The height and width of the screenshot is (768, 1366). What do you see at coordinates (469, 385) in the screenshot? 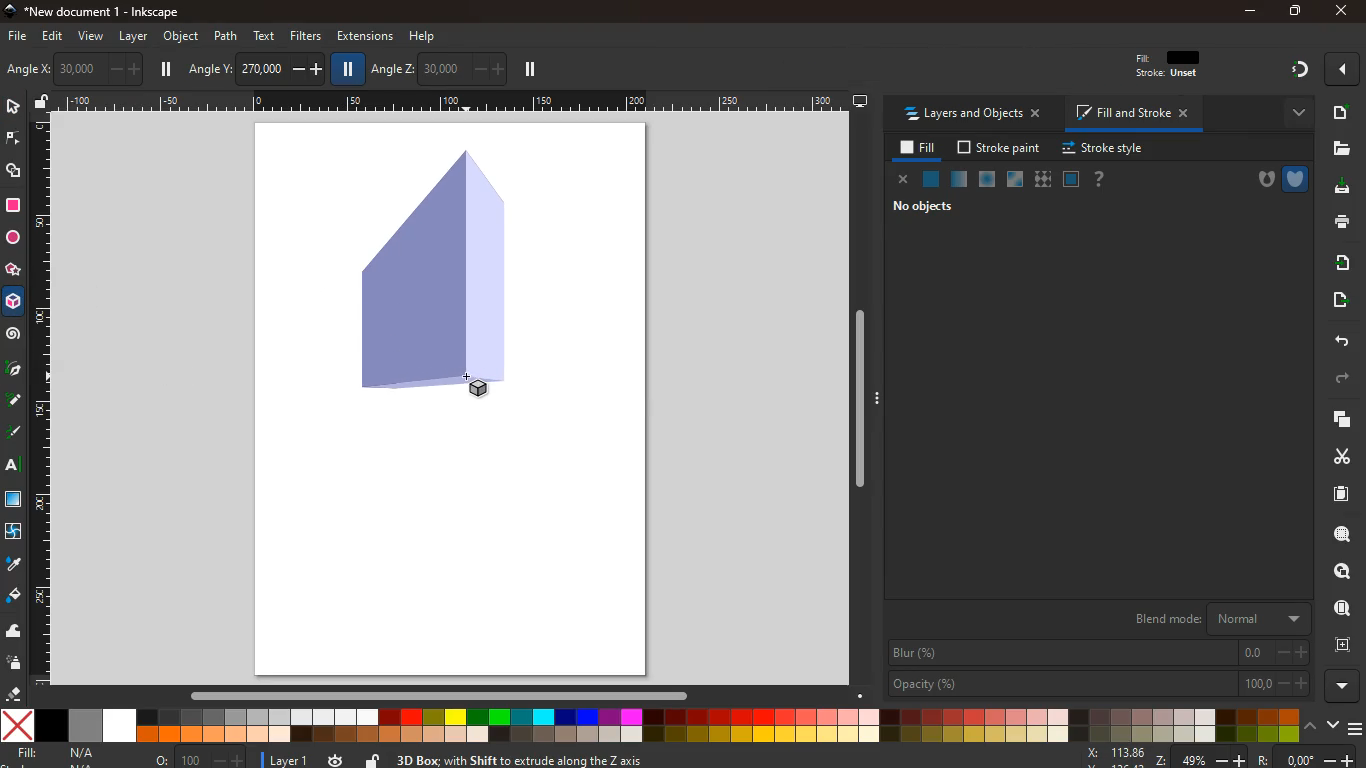
I see `cursor` at bounding box center [469, 385].